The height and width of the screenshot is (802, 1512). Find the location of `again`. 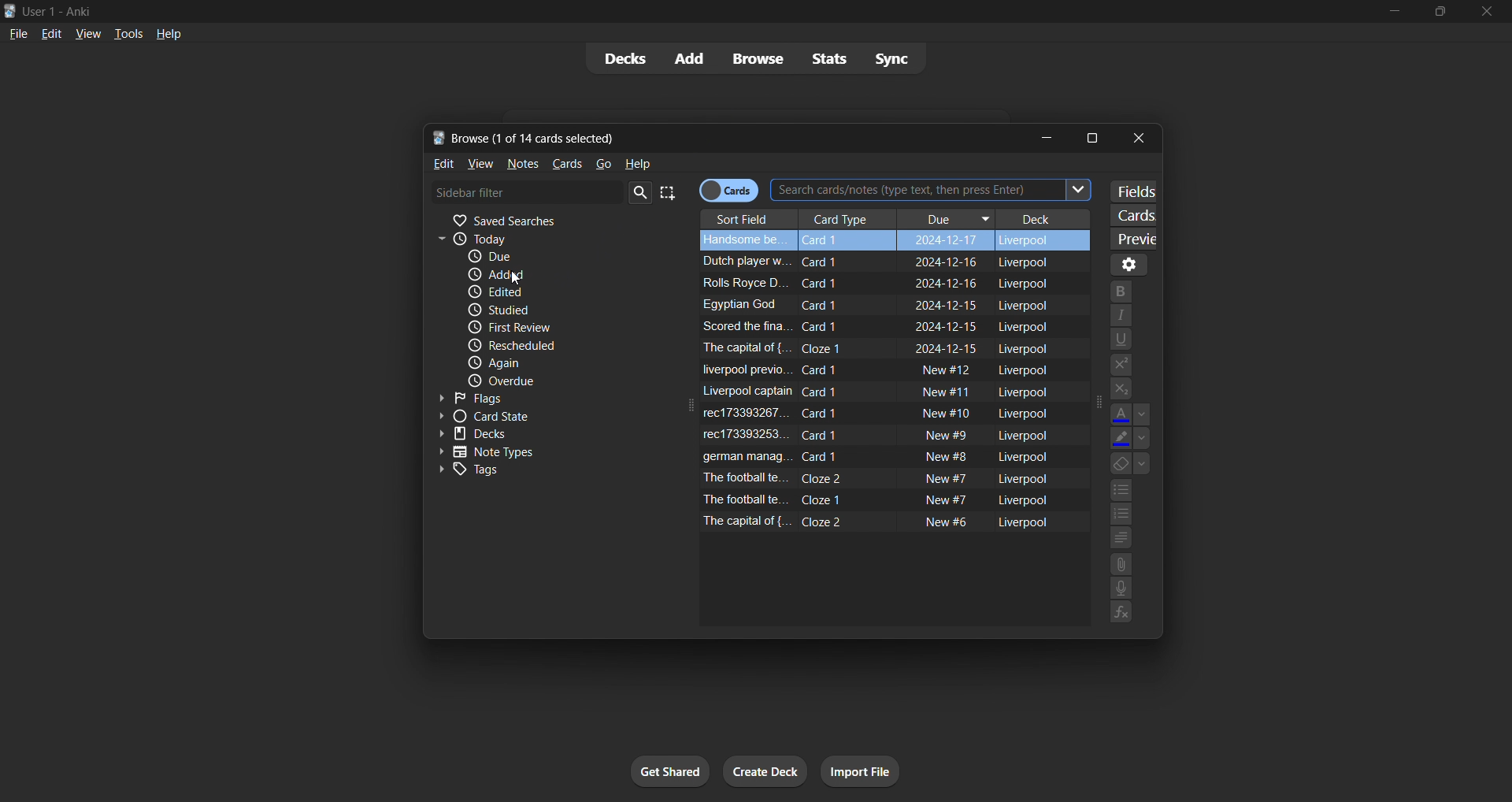

again is located at coordinates (561, 363).